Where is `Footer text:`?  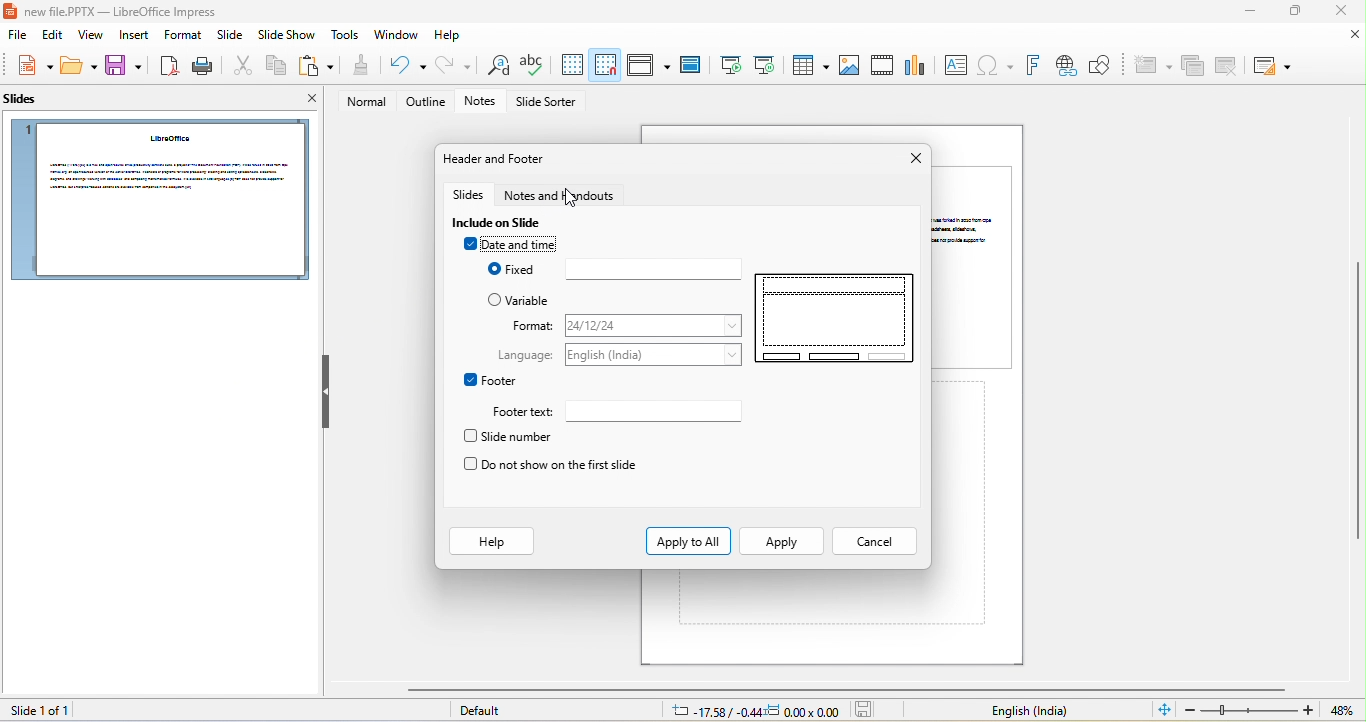 Footer text: is located at coordinates (521, 413).